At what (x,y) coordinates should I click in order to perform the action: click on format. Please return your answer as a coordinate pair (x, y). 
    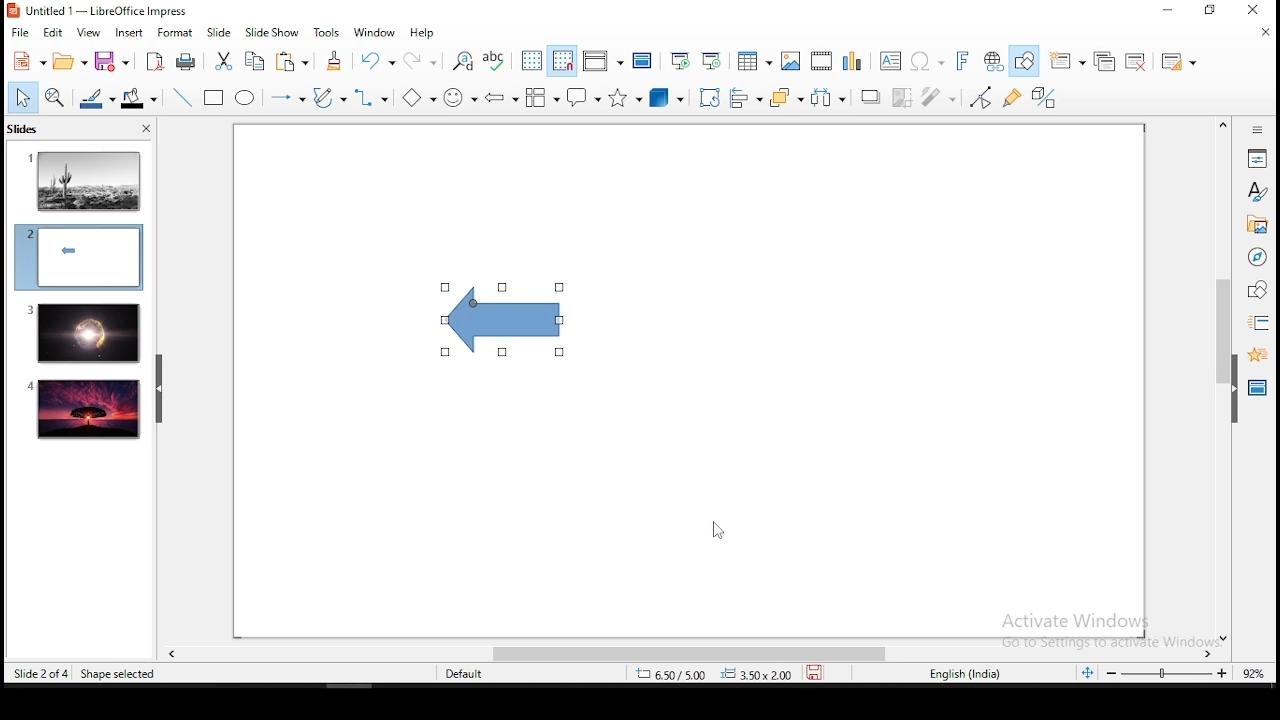
    Looking at the image, I should click on (174, 32).